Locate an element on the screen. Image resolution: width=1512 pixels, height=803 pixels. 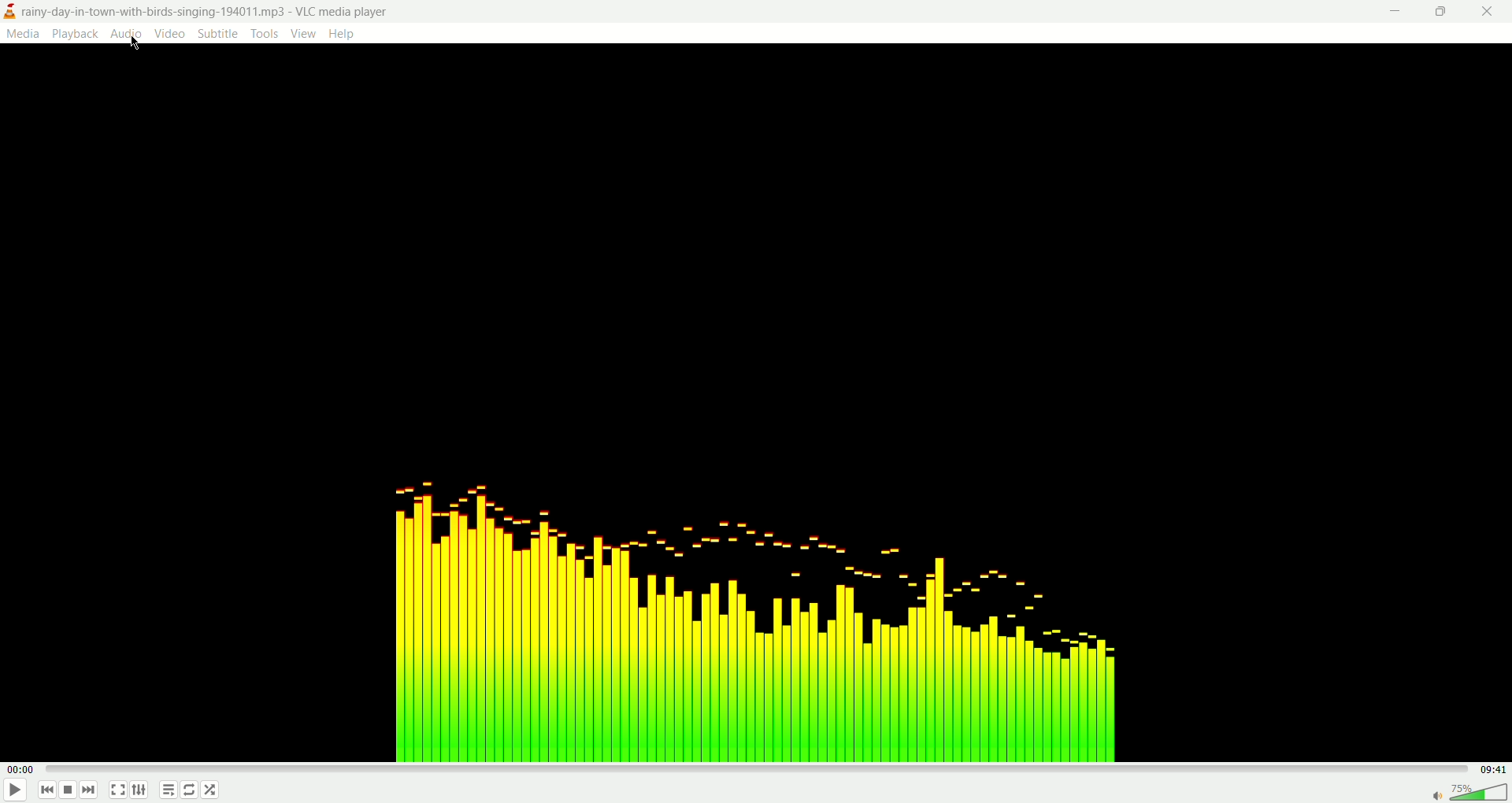
rainy-day-in-town-with-birds-singing-194011.mp3-VLC media player is located at coordinates (207, 11).